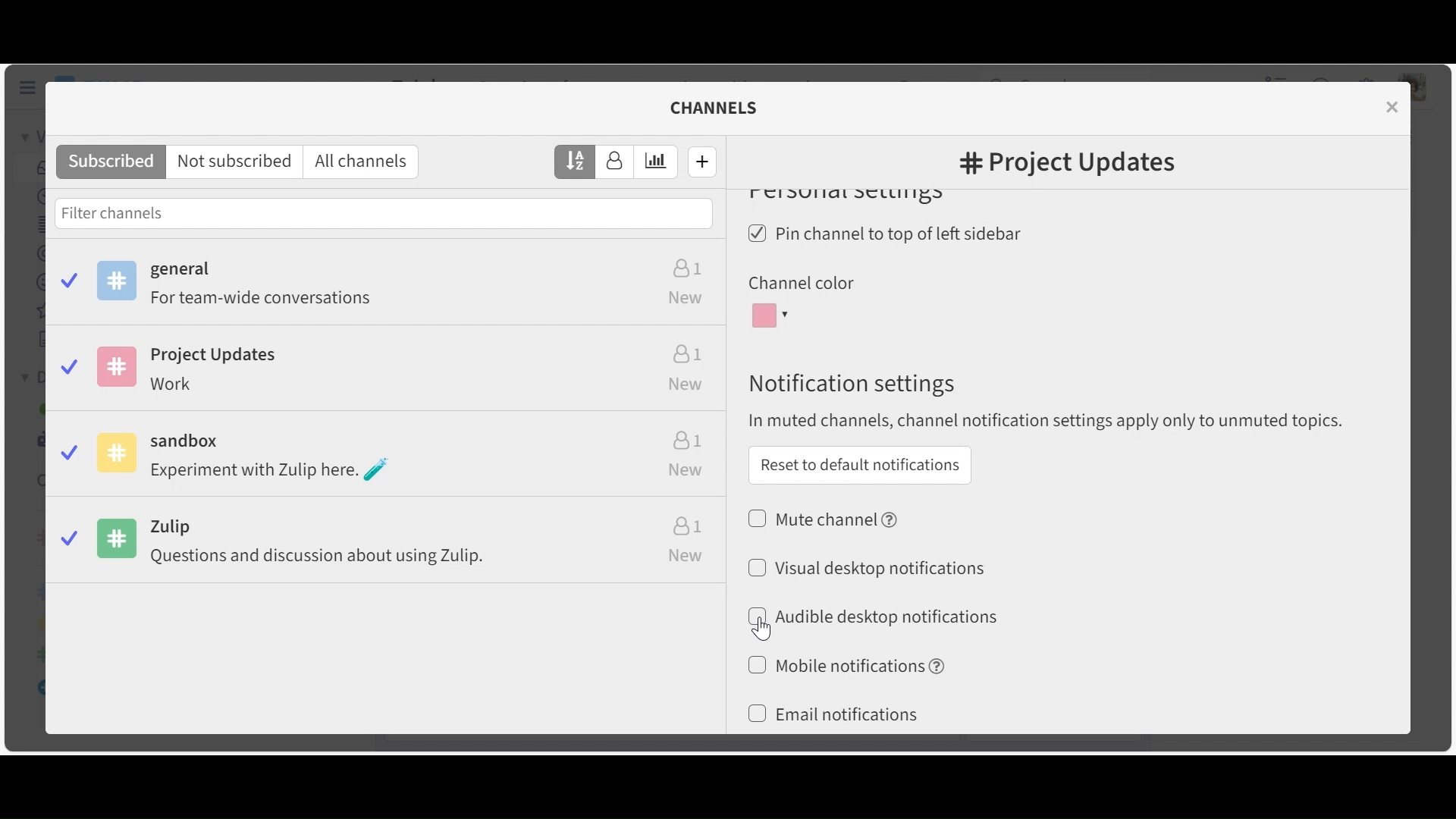 This screenshot has height=819, width=1456. What do you see at coordinates (1053, 422) in the screenshot?
I see `In muted channels, channel notification settings apply to only to unmuted topics` at bounding box center [1053, 422].